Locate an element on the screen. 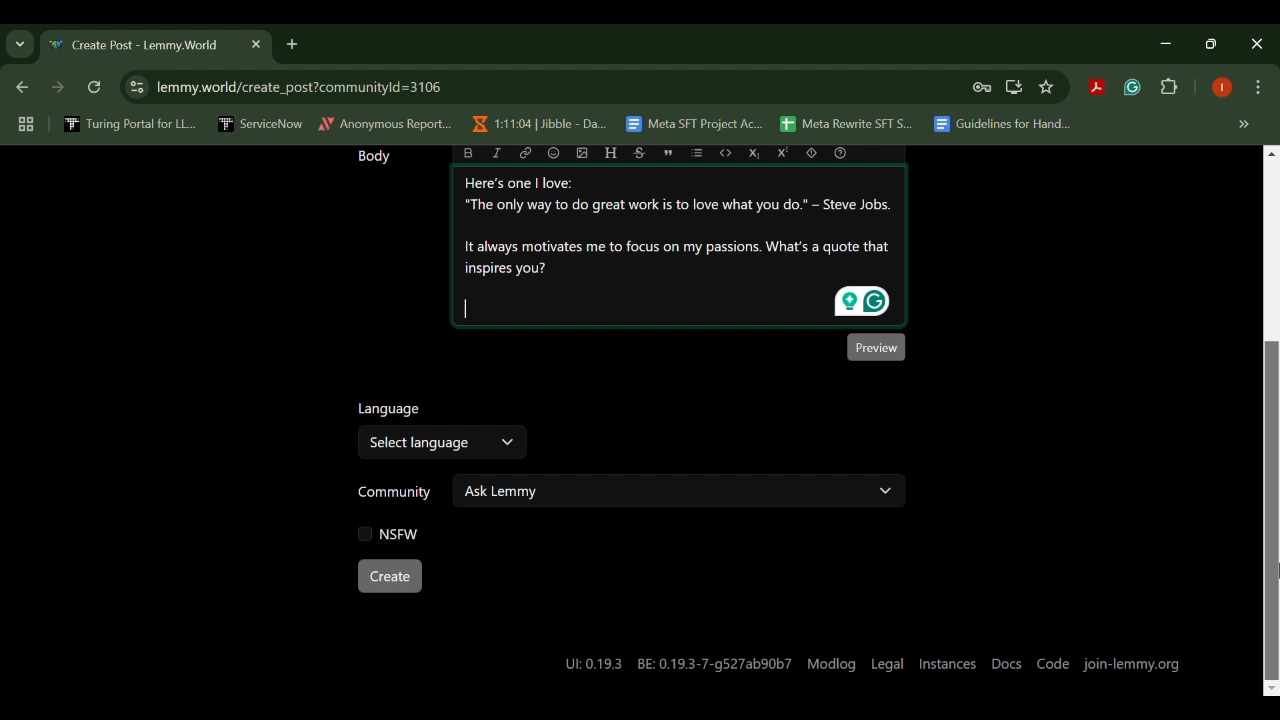 The height and width of the screenshot is (720, 1280). Instances is located at coordinates (946, 662).